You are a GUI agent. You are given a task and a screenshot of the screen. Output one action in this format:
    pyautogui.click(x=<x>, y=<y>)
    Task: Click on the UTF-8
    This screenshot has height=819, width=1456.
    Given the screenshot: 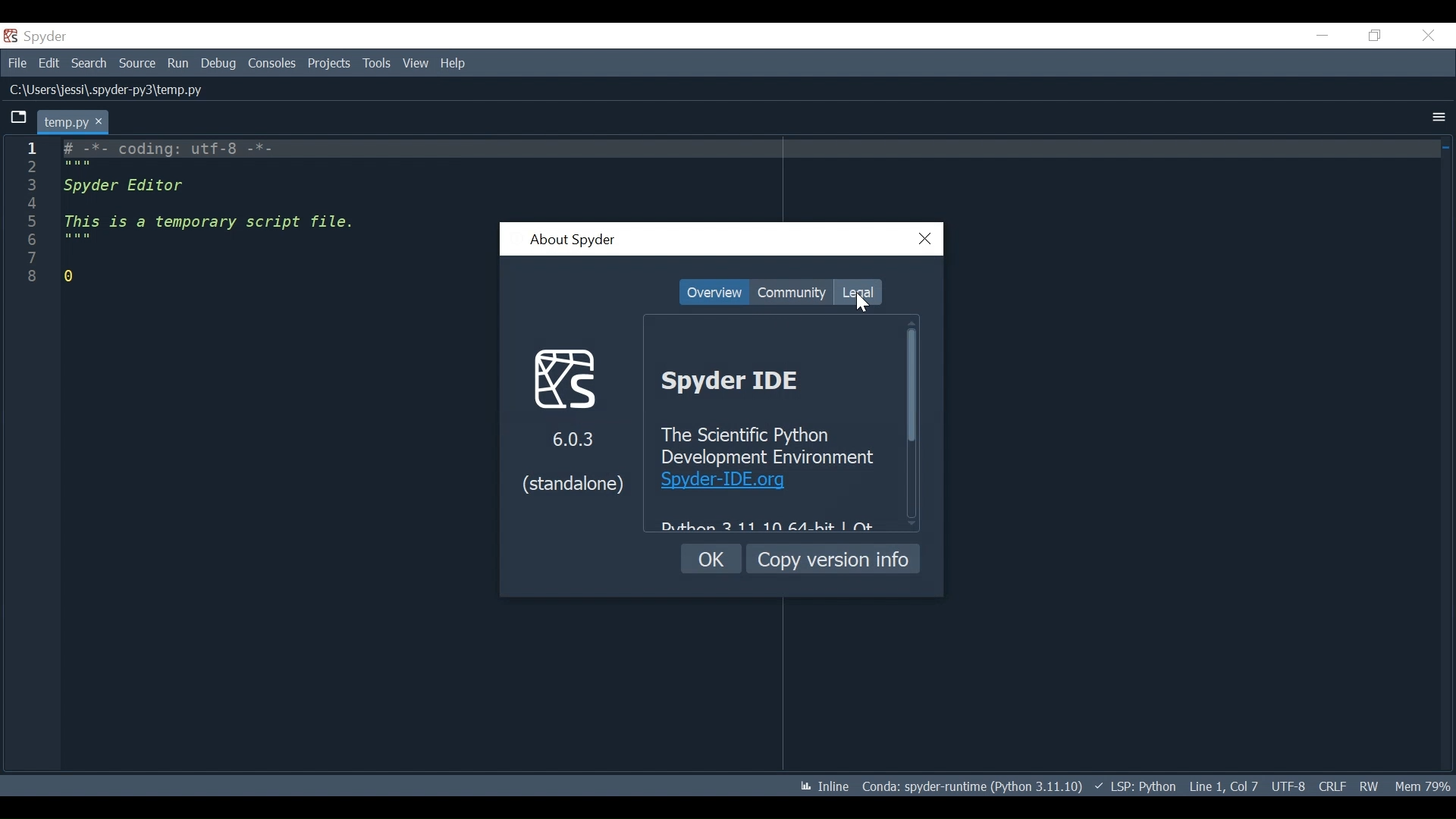 What is the action you would take?
    pyautogui.click(x=1291, y=785)
    